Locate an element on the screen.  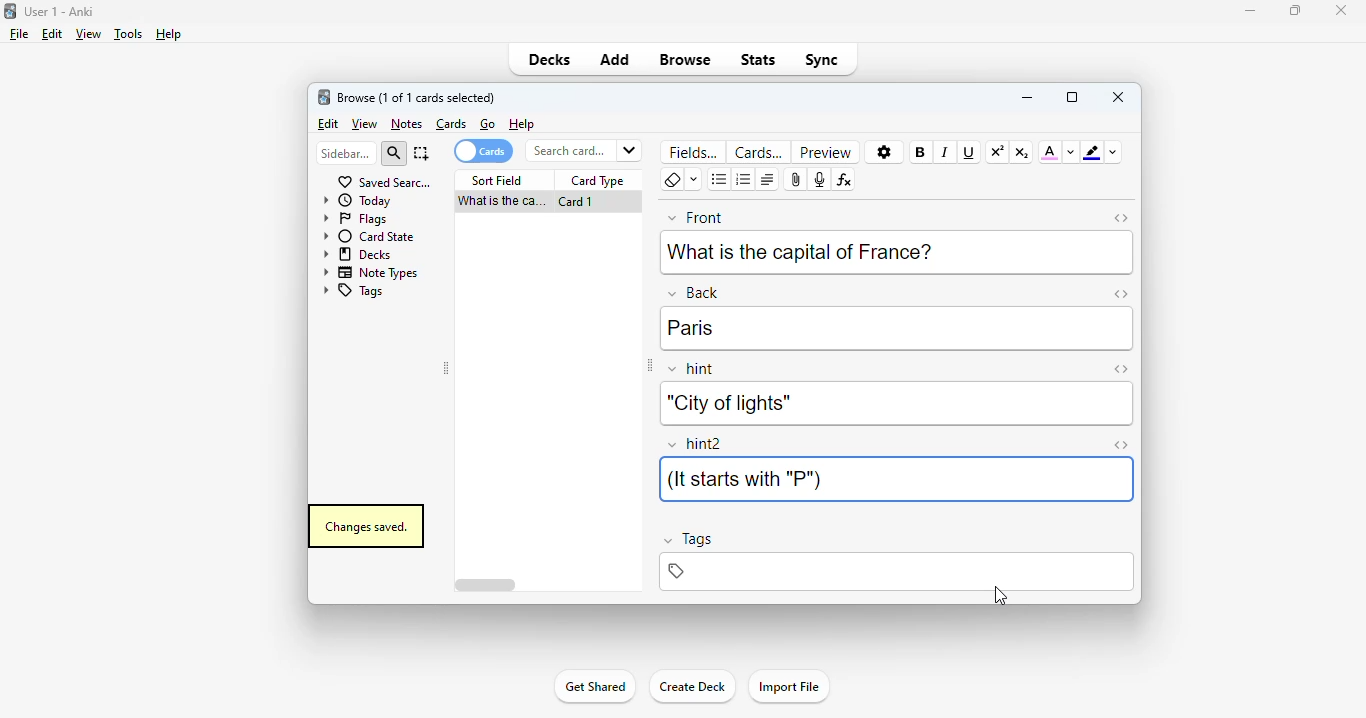
preview is located at coordinates (826, 152).